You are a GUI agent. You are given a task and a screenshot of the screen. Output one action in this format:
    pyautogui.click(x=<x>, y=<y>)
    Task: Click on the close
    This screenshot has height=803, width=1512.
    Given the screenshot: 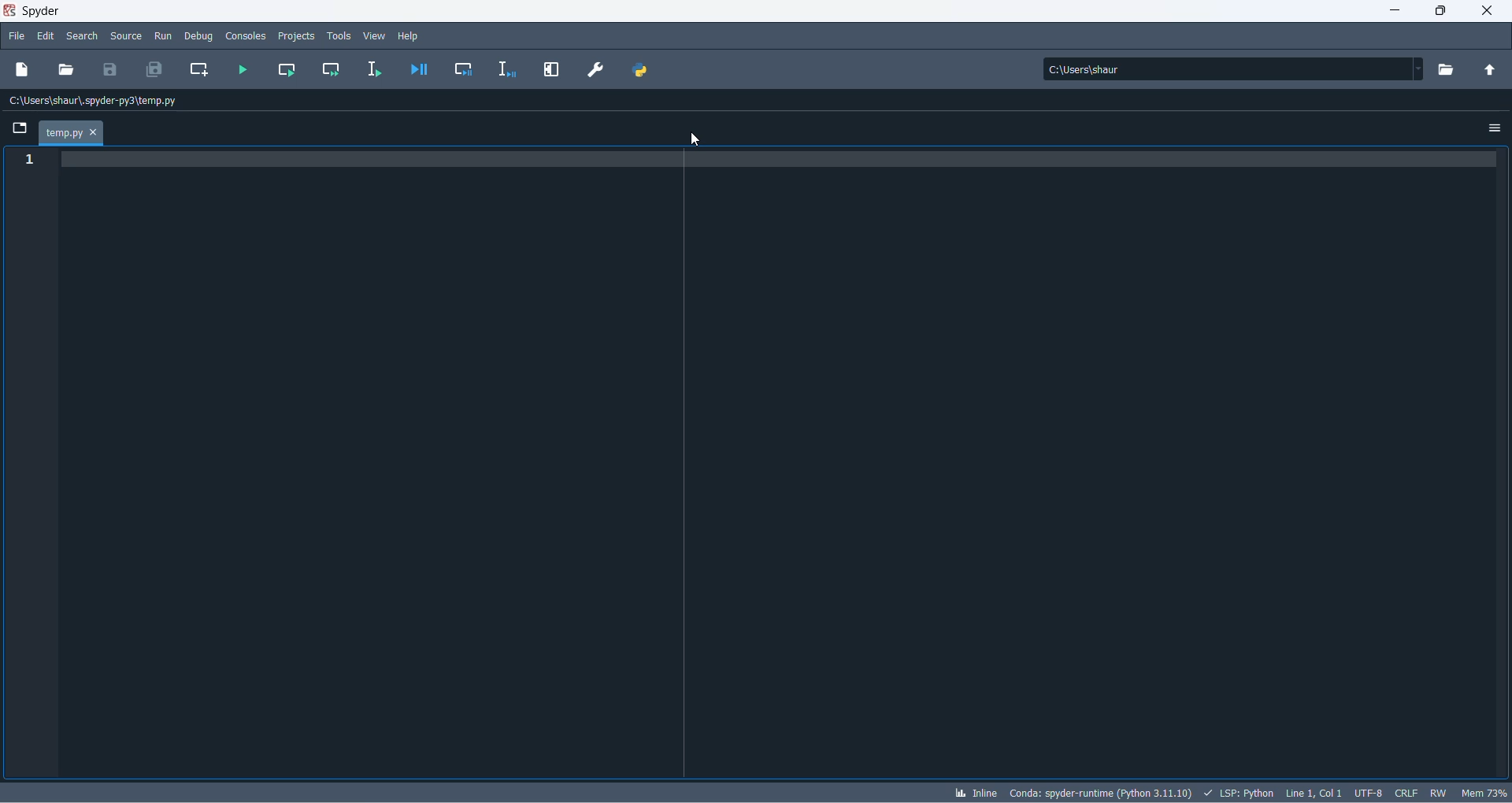 What is the action you would take?
    pyautogui.click(x=1484, y=15)
    